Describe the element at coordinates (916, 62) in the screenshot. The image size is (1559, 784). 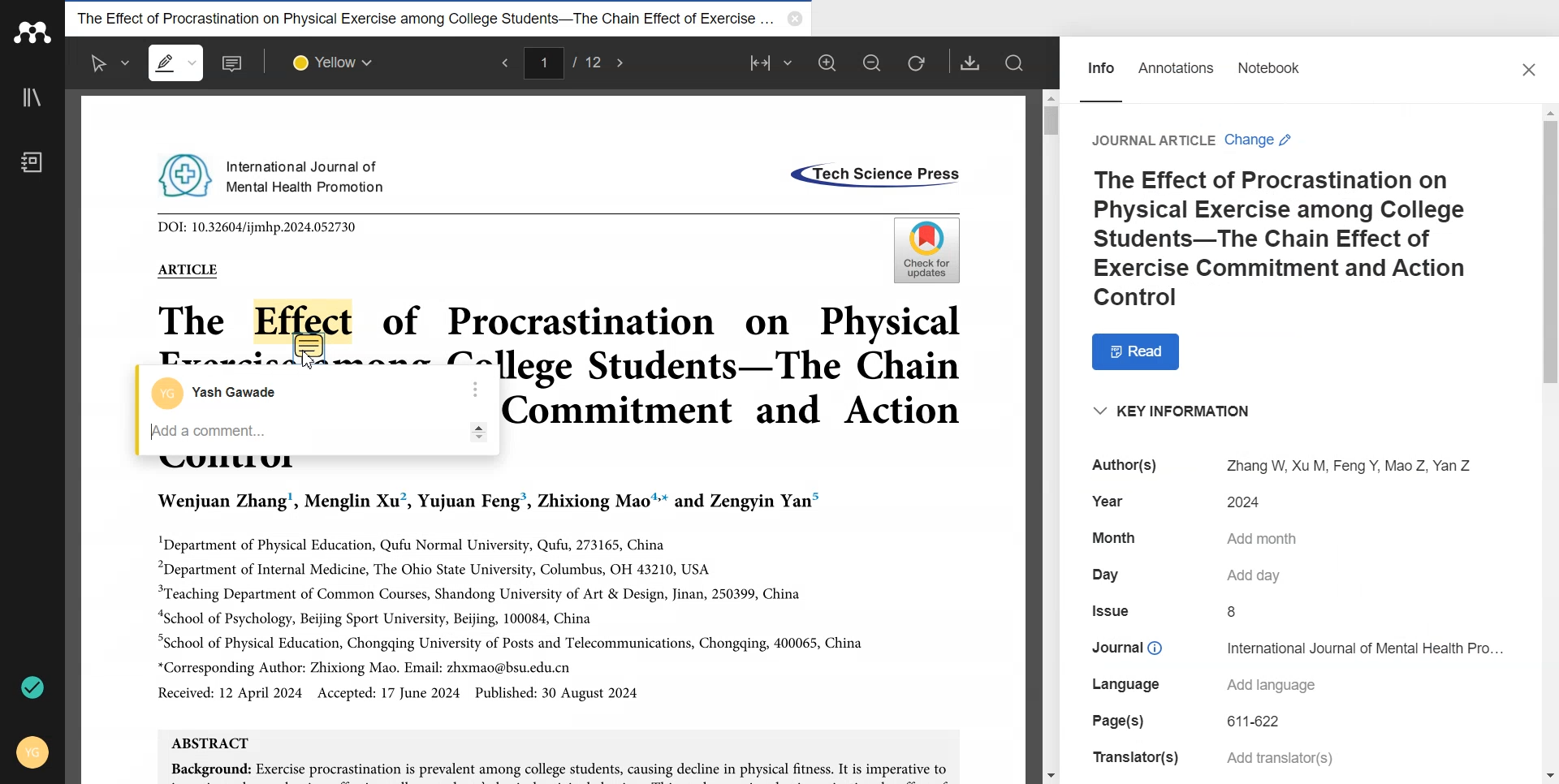
I see `Refresh` at that location.